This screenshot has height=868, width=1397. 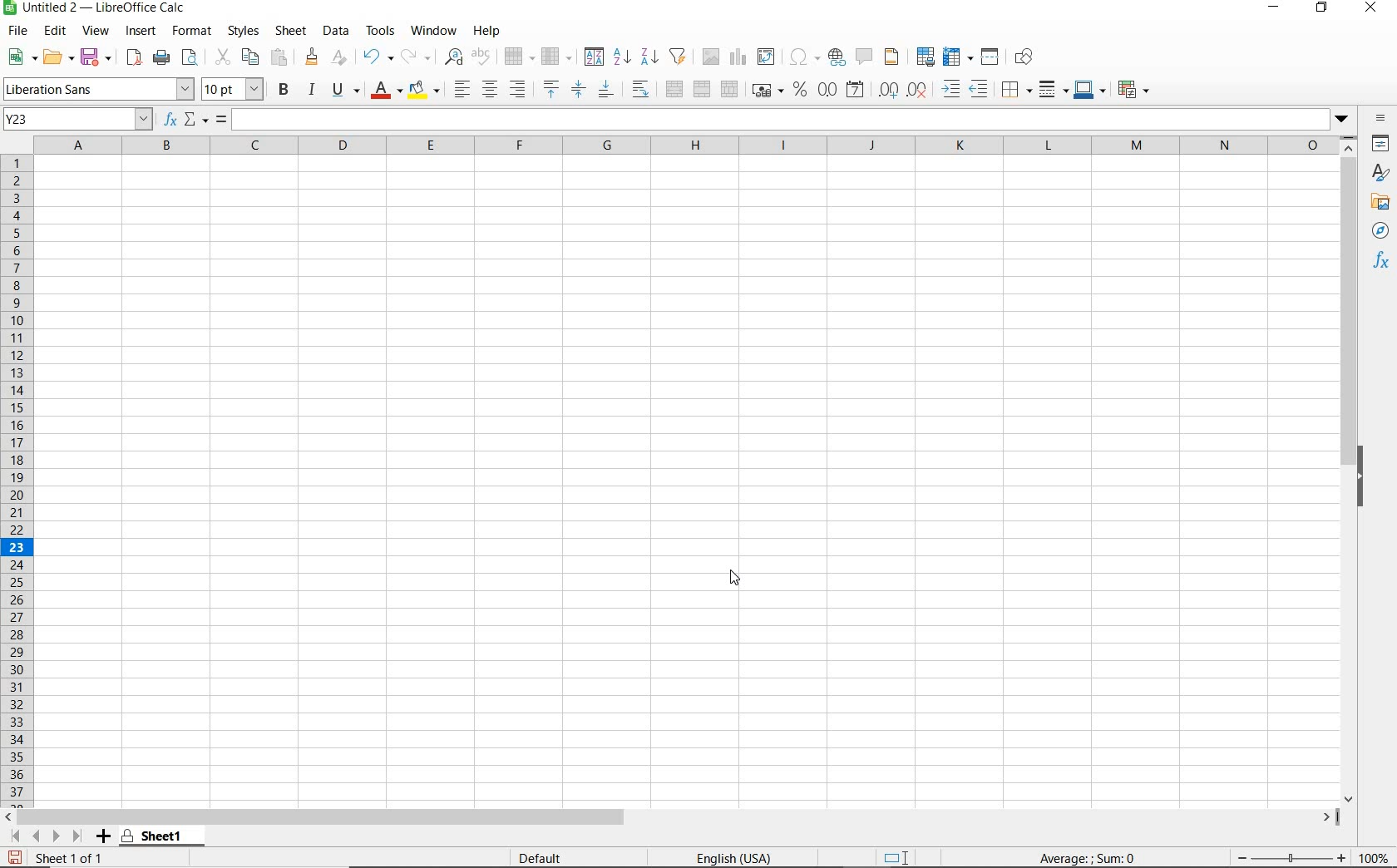 What do you see at coordinates (702, 90) in the screenshot?
I see `MERGE CELLS` at bounding box center [702, 90].